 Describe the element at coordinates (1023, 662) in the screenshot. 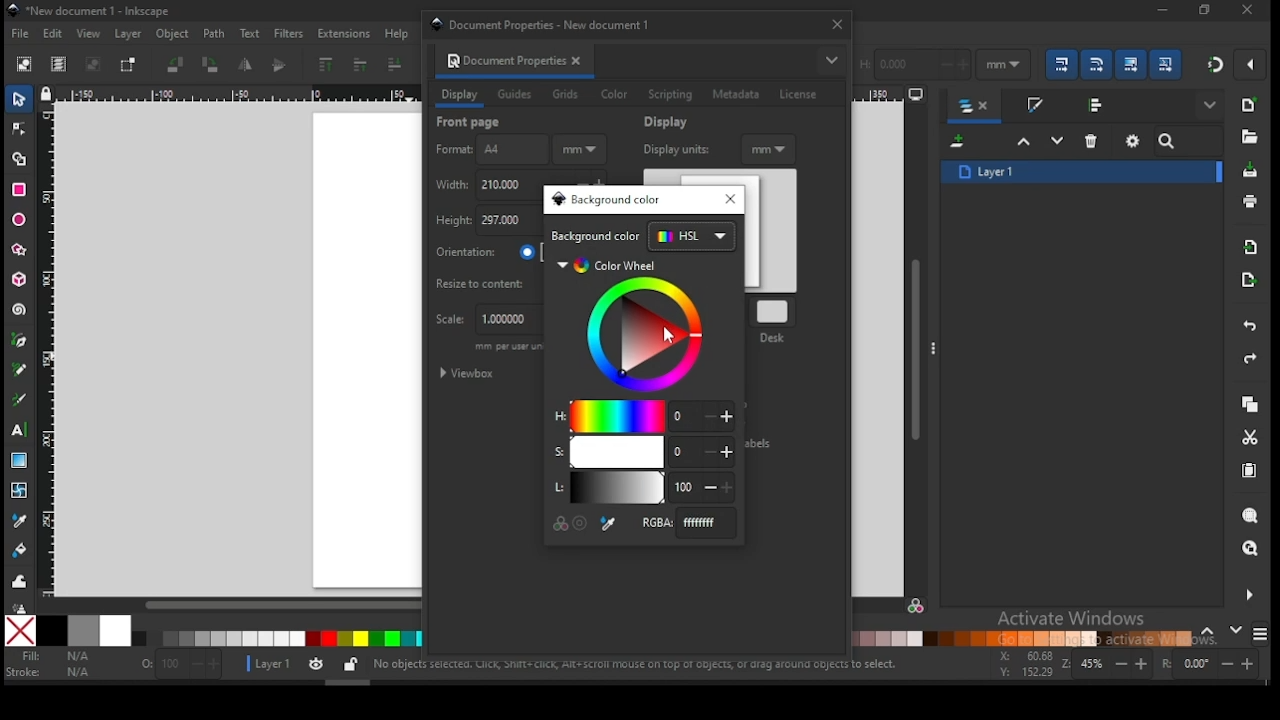

I see `cursor coordinates` at that location.